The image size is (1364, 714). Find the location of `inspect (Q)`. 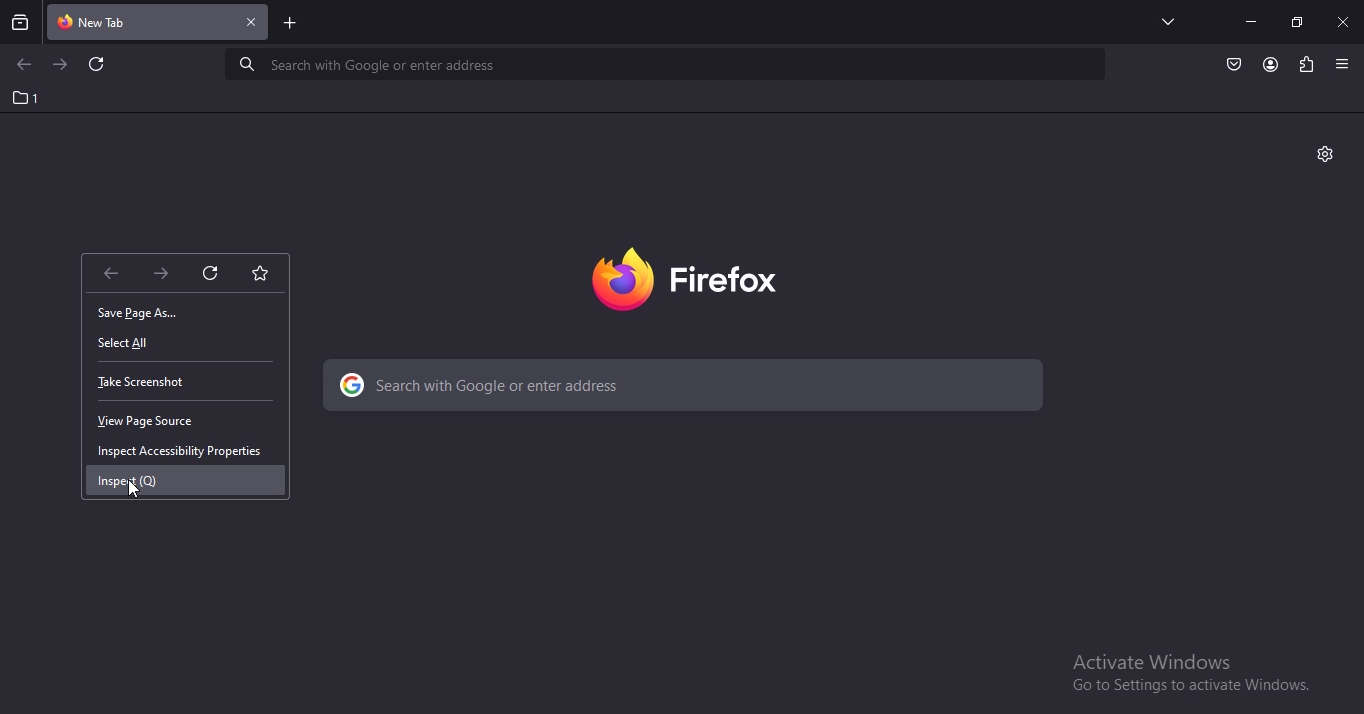

inspect (Q) is located at coordinates (132, 479).